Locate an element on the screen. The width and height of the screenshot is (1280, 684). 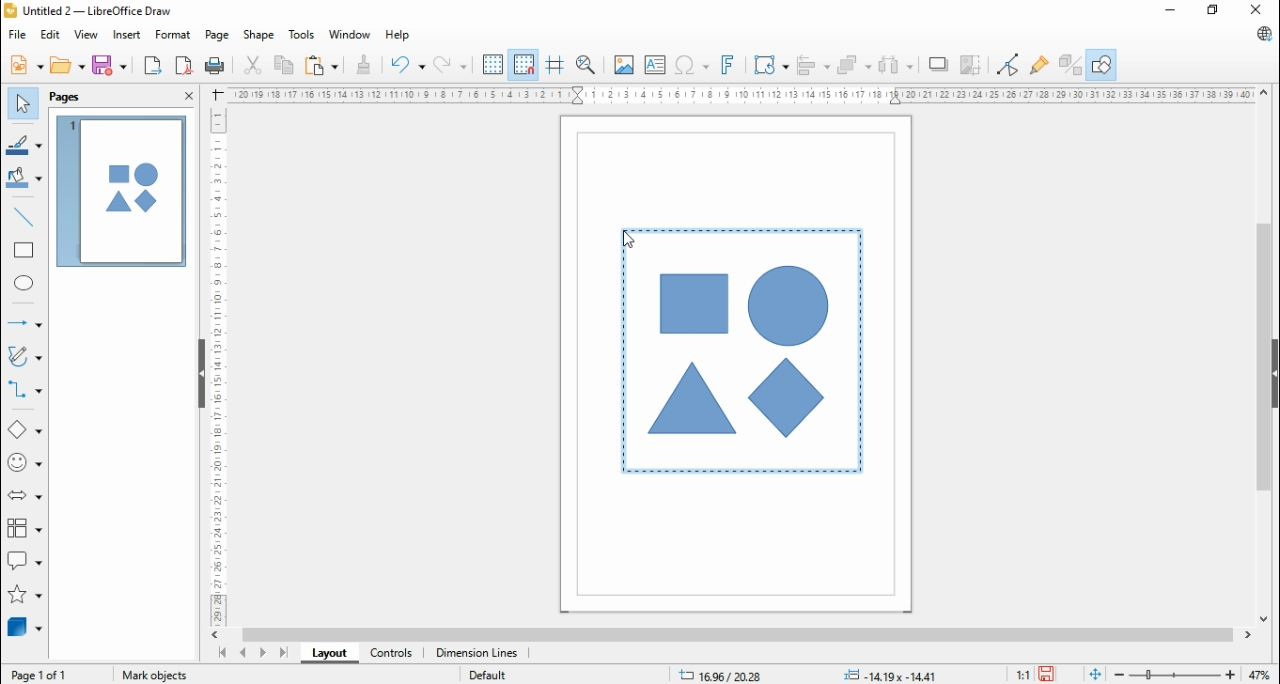
first page is located at coordinates (220, 653).